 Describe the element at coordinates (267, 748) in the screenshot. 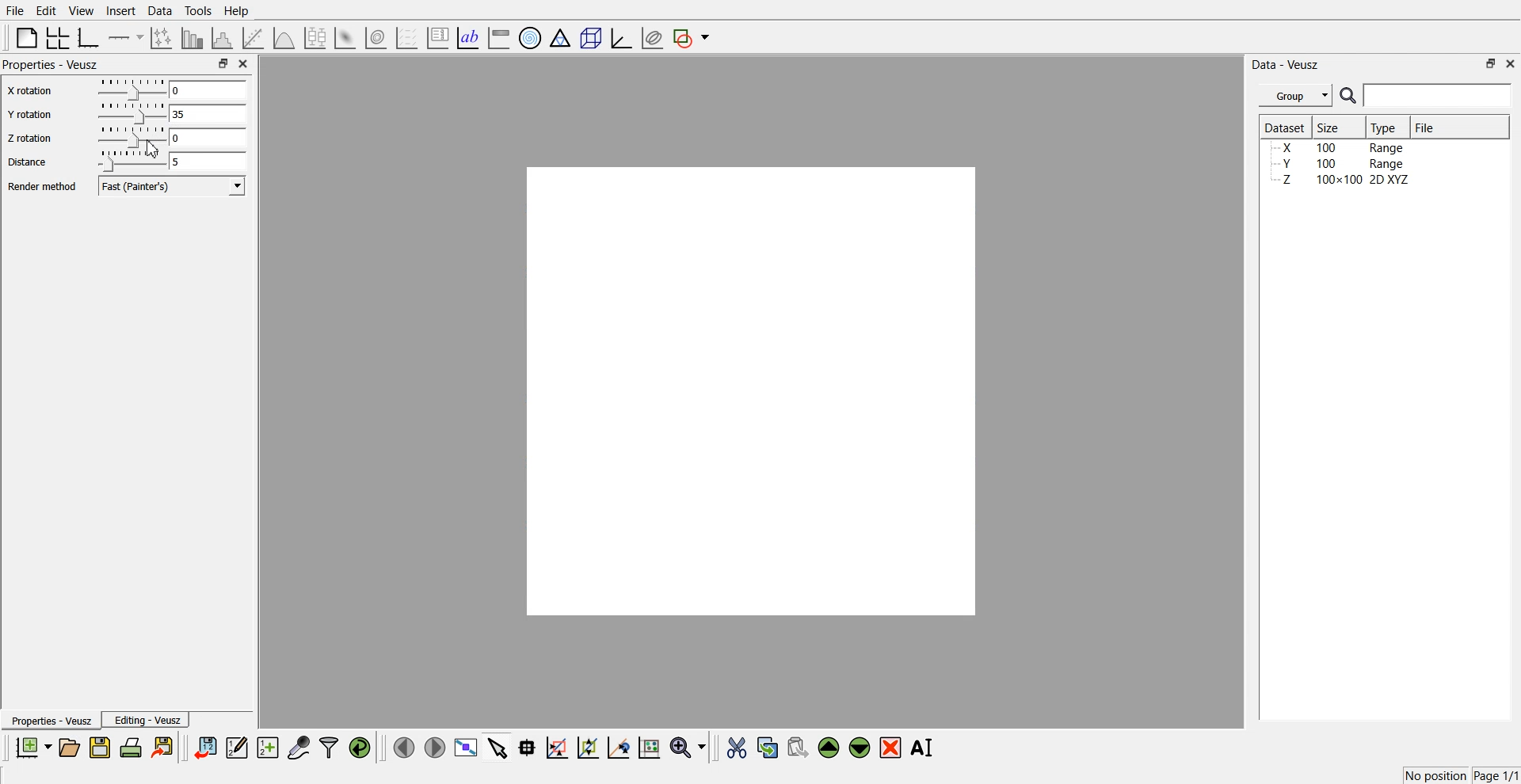

I see `Create new dataset for ranging` at that location.